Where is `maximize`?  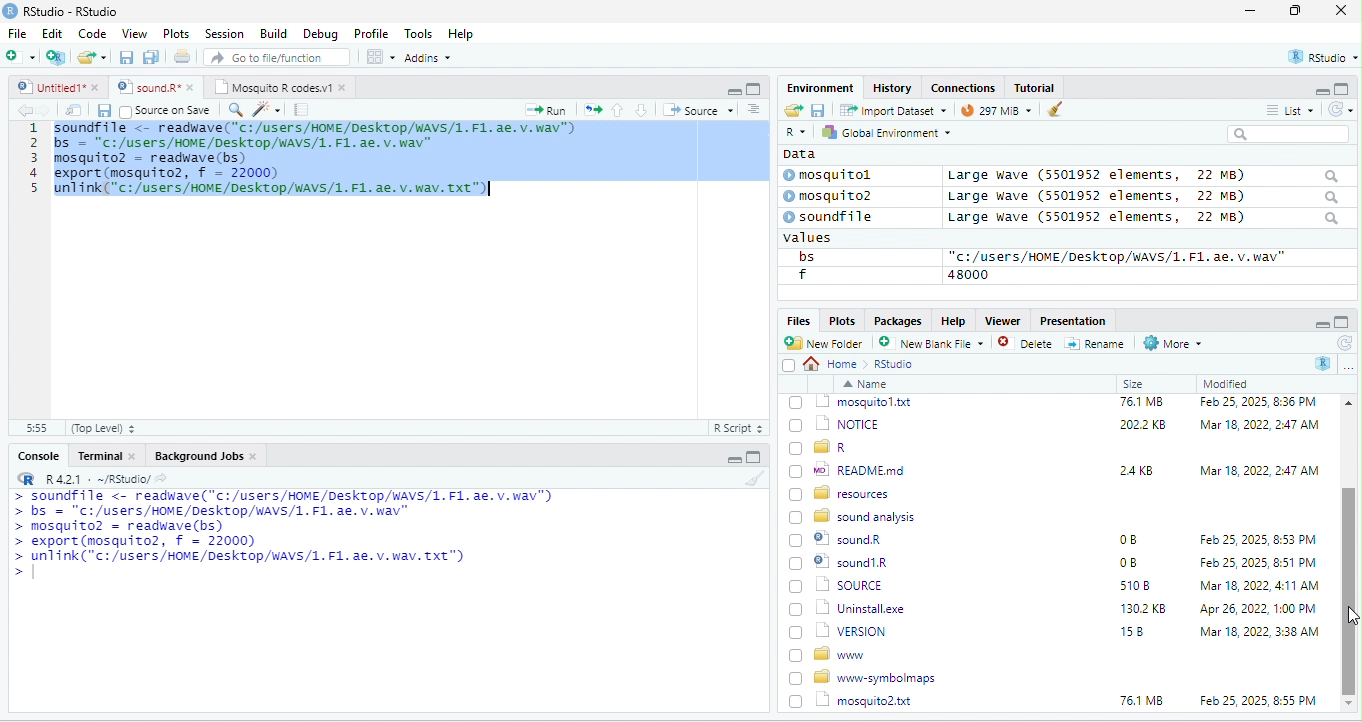 maximize is located at coordinates (1344, 88).